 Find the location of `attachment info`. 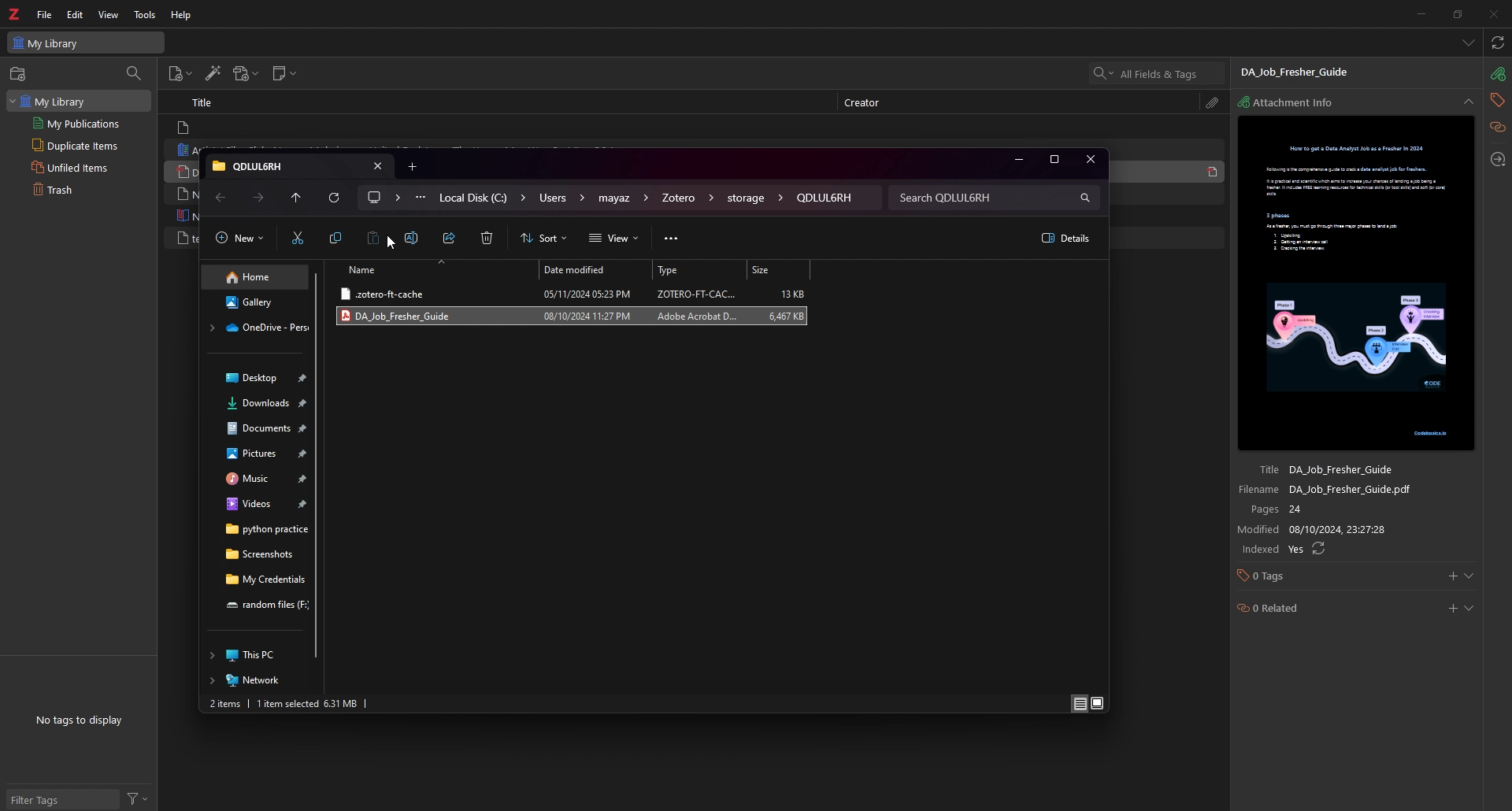

attachment info is located at coordinates (1497, 74).